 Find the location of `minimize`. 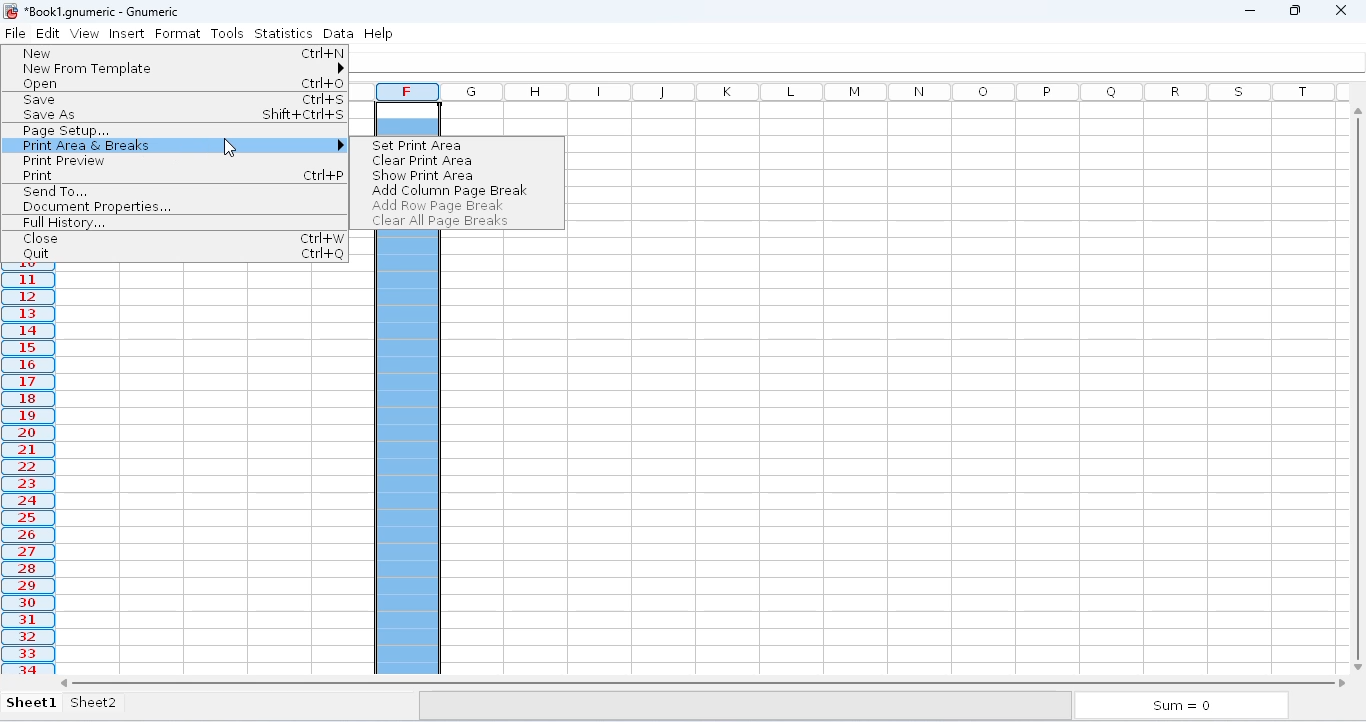

minimize is located at coordinates (1249, 10).